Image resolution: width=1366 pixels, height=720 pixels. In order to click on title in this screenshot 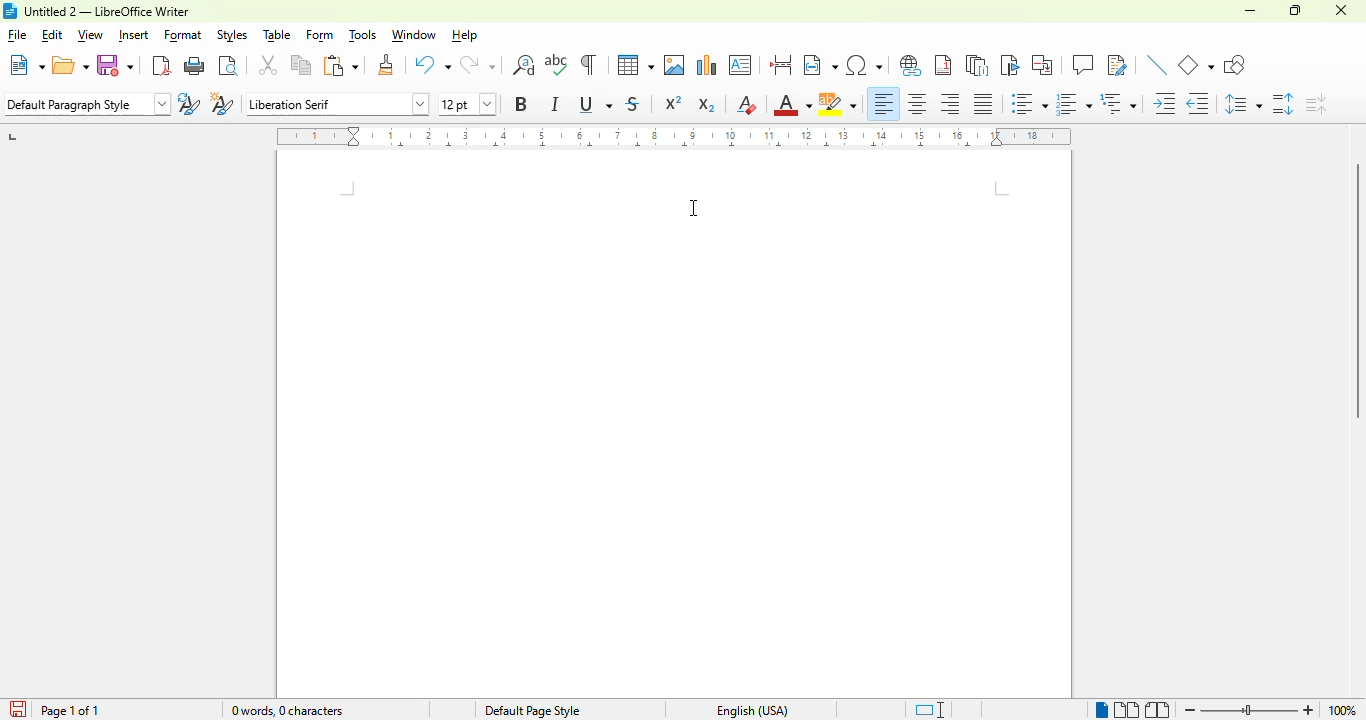, I will do `click(107, 11)`.